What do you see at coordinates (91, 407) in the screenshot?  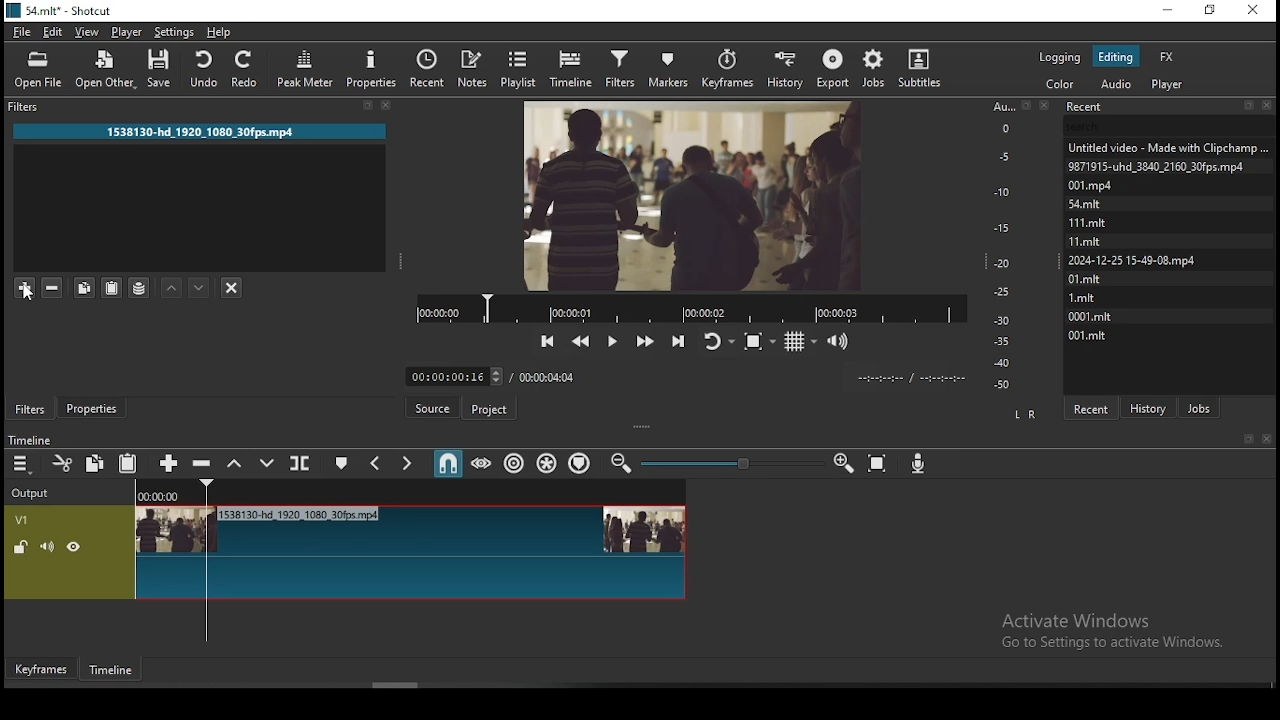 I see `properties` at bounding box center [91, 407].